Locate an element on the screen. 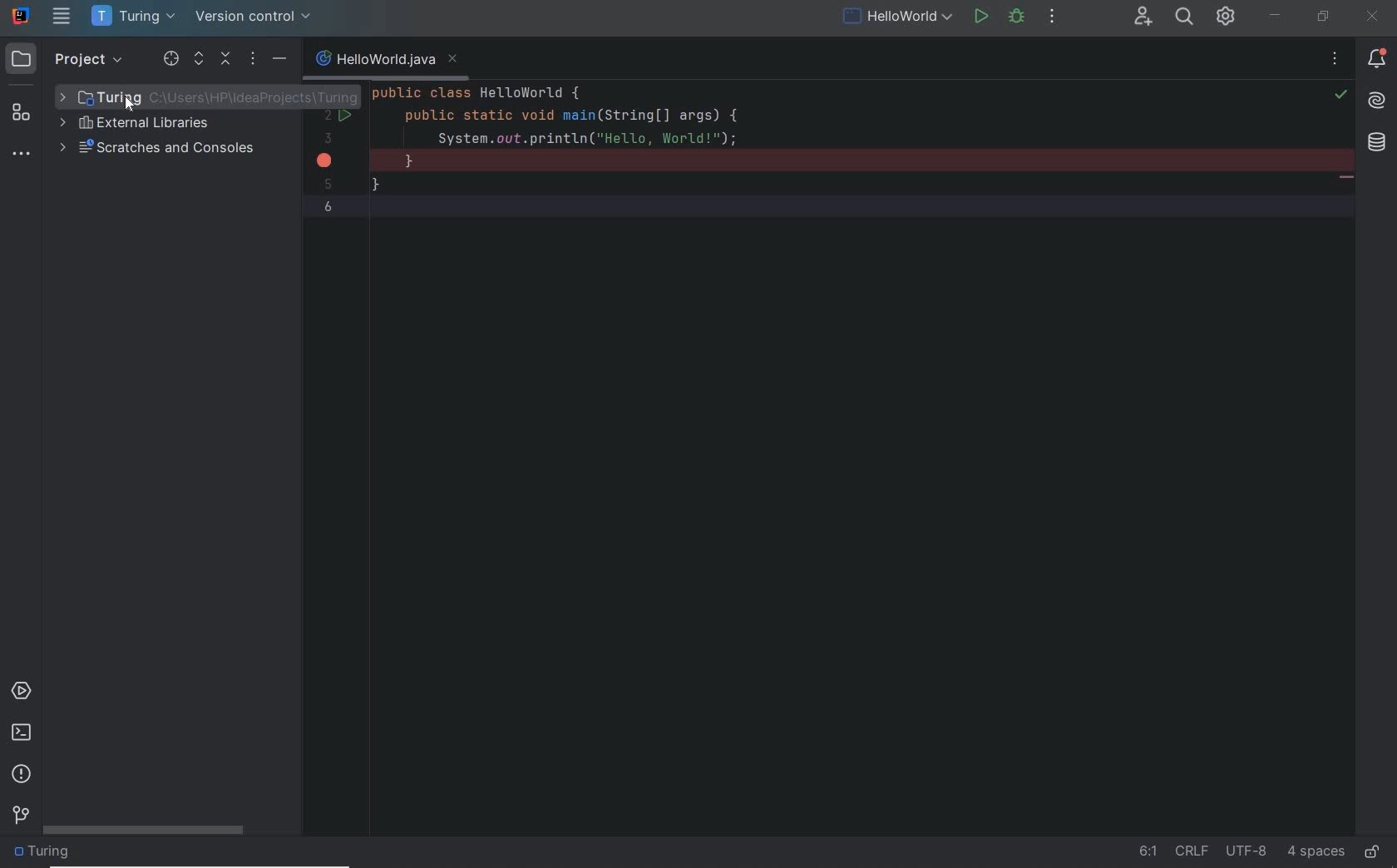 Image resolution: width=1397 pixels, height=868 pixels. hide is located at coordinates (280, 57).